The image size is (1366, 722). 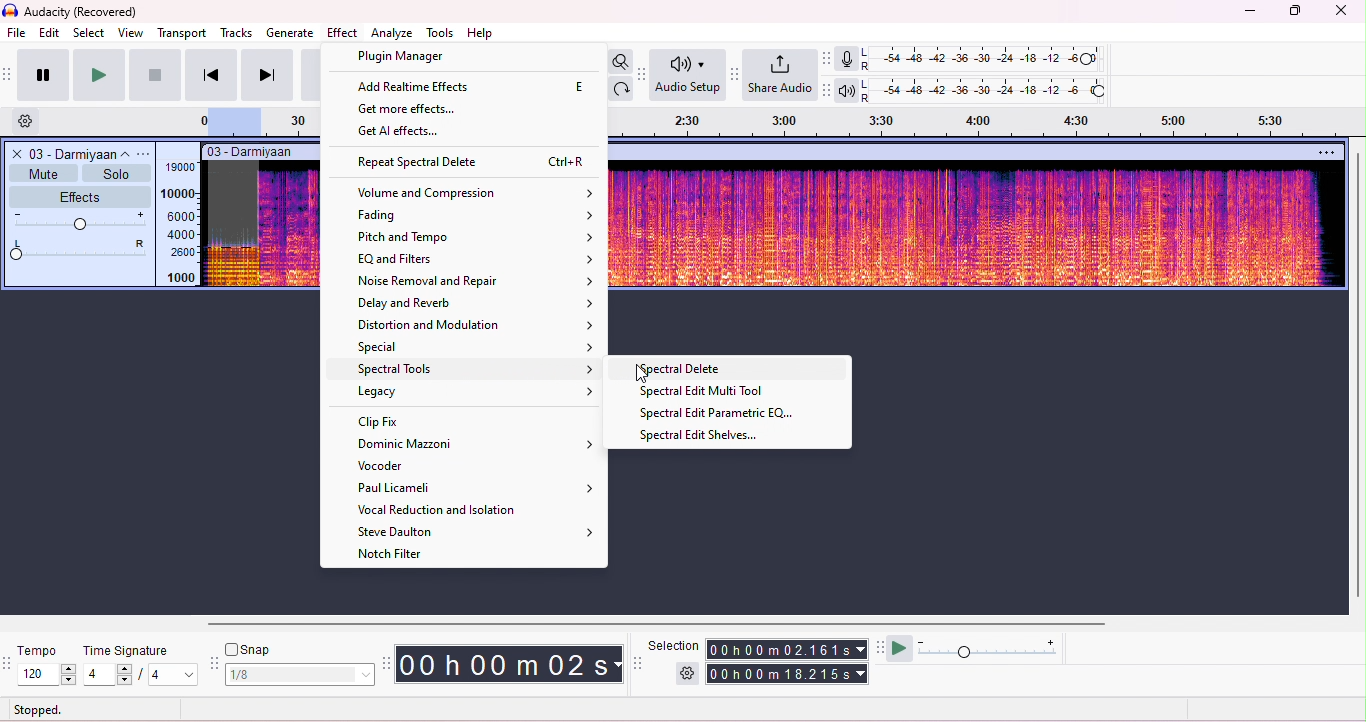 What do you see at coordinates (987, 60) in the screenshot?
I see `recording level` at bounding box center [987, 60].